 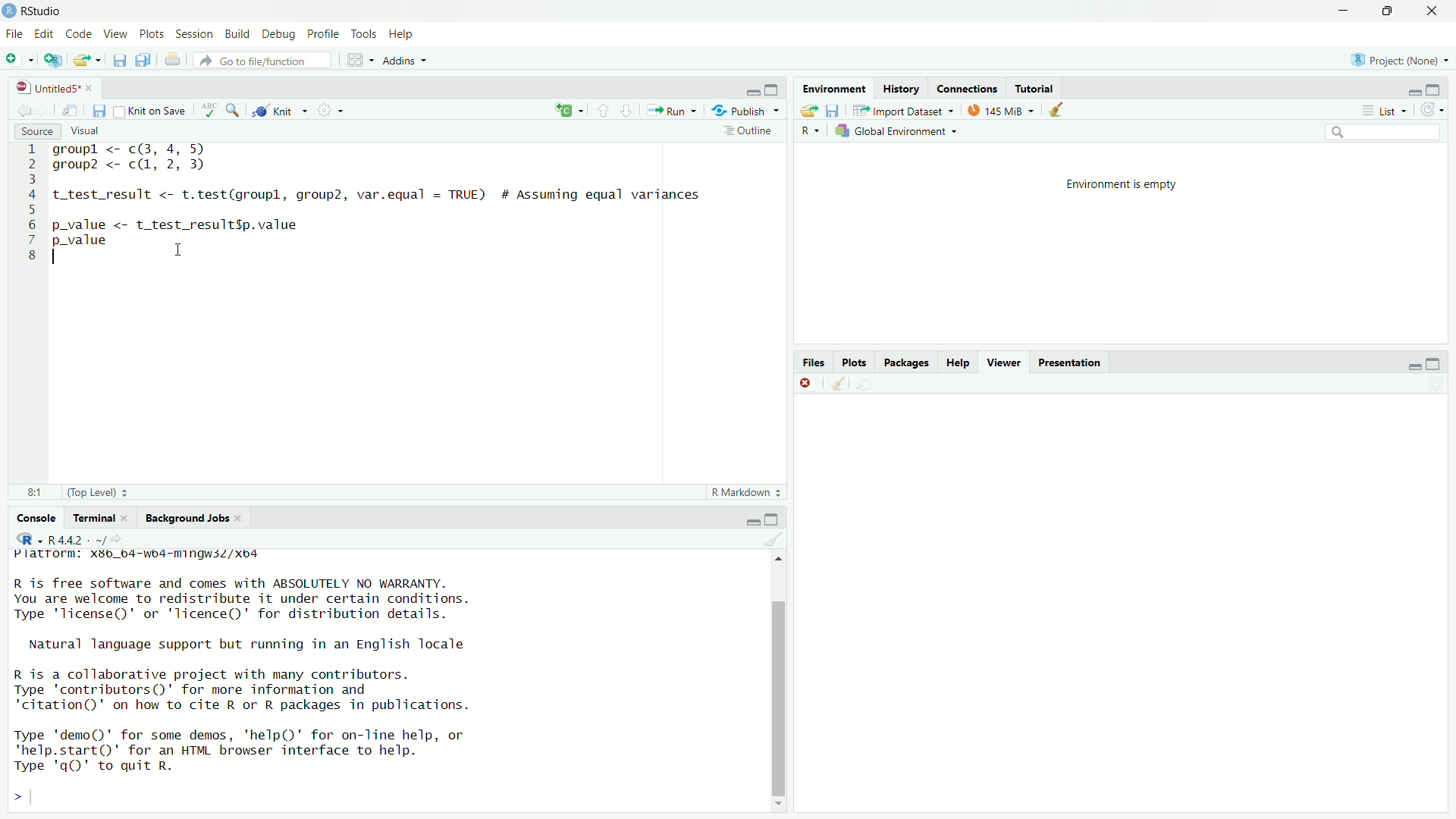 What do you see at coordinates (70, 109) in the screenshot?
I see `show in new window` at bounding box center [70, 109].